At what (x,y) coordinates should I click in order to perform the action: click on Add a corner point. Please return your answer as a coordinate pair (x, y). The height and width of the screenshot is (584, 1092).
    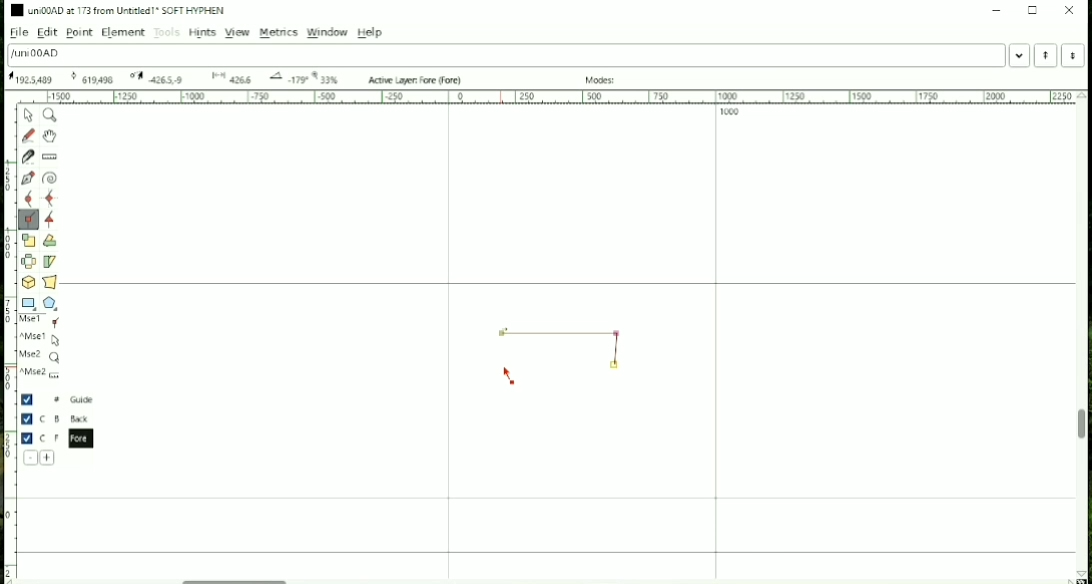
    Looking at the image, I should click on (28, 220).